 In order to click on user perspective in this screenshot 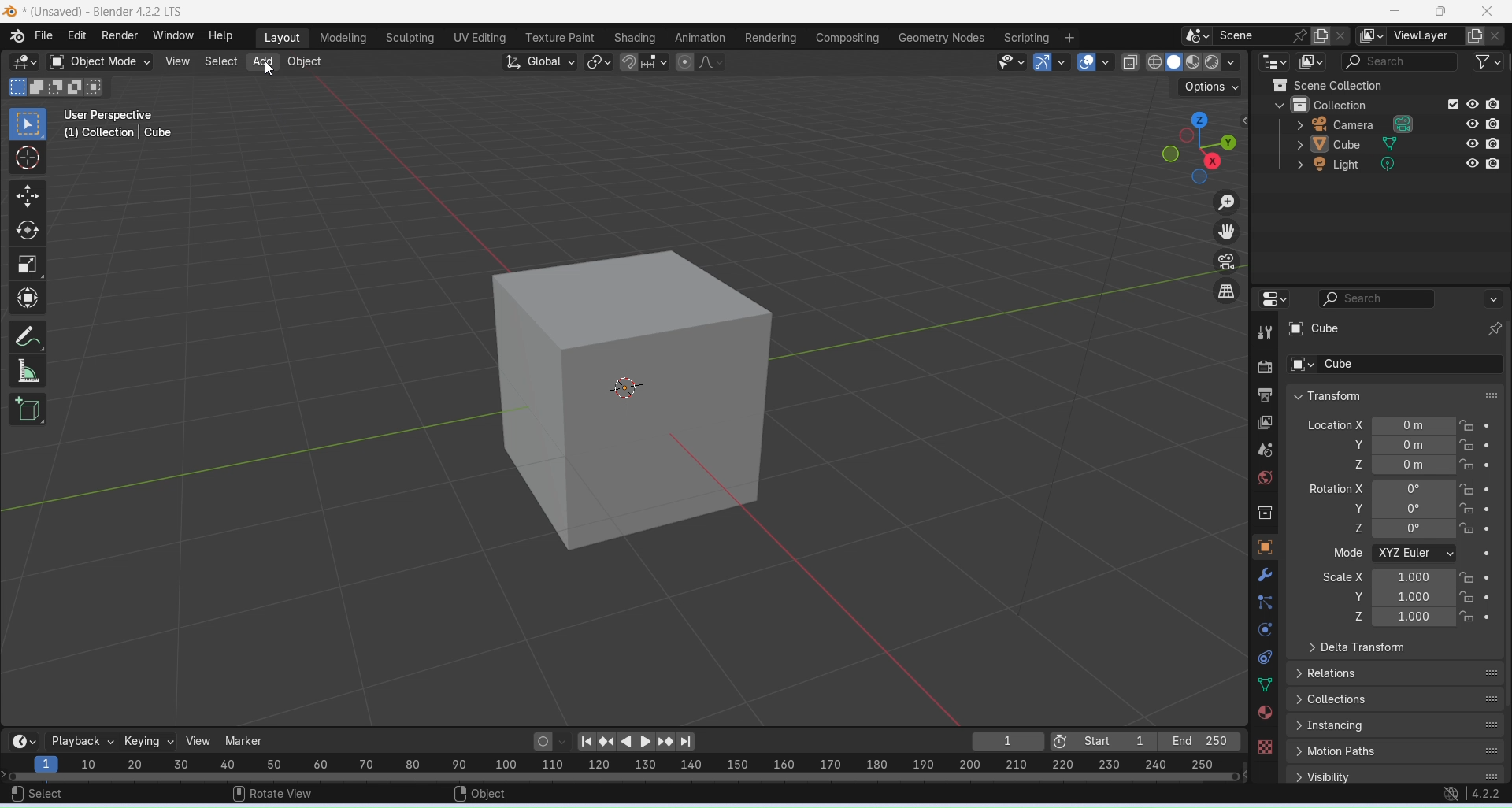, I will do `click(114, 116)`.